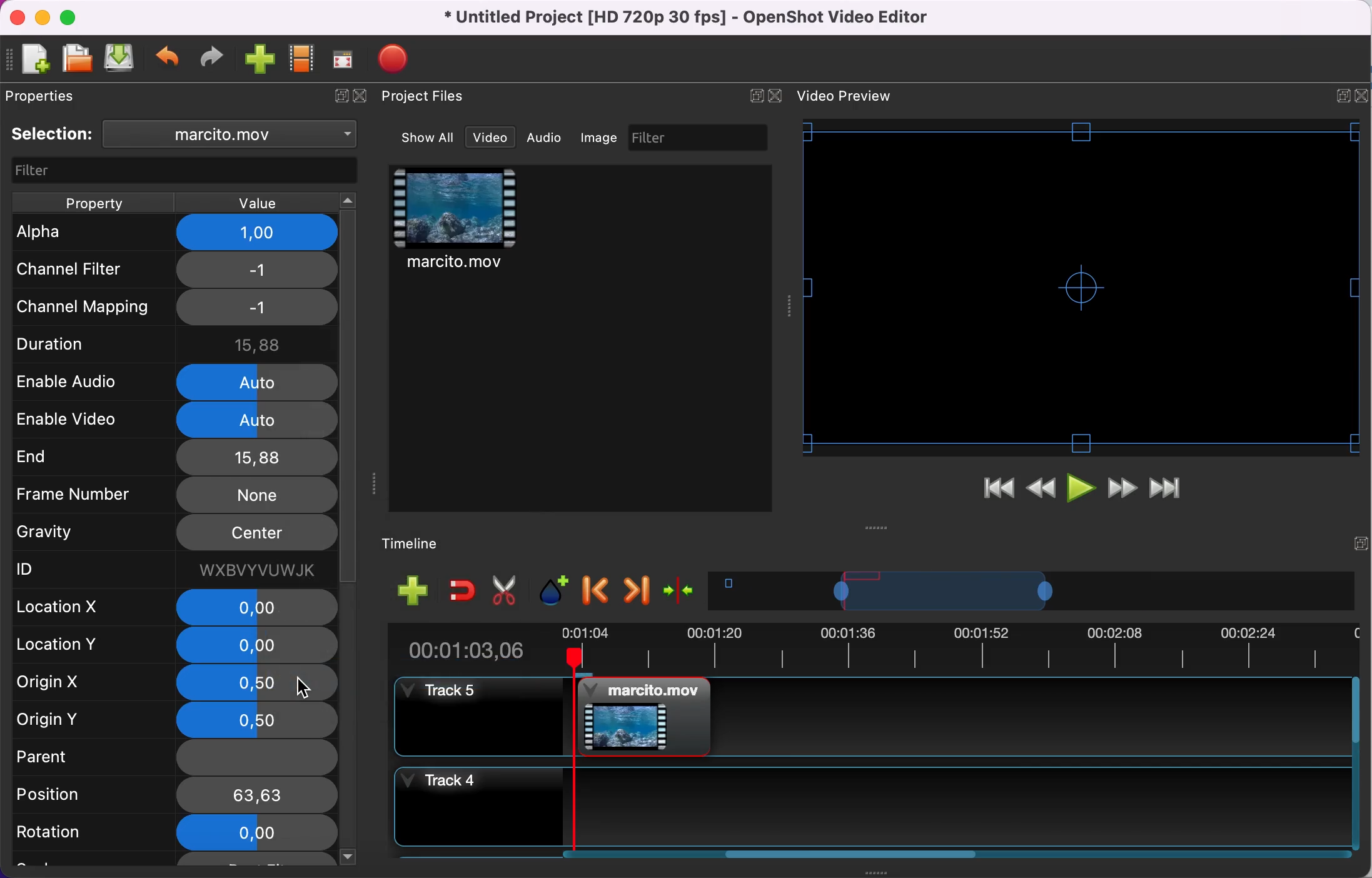  Describe the element at coordinates (700, 137) in the screenshot. I see `filter` at that location.